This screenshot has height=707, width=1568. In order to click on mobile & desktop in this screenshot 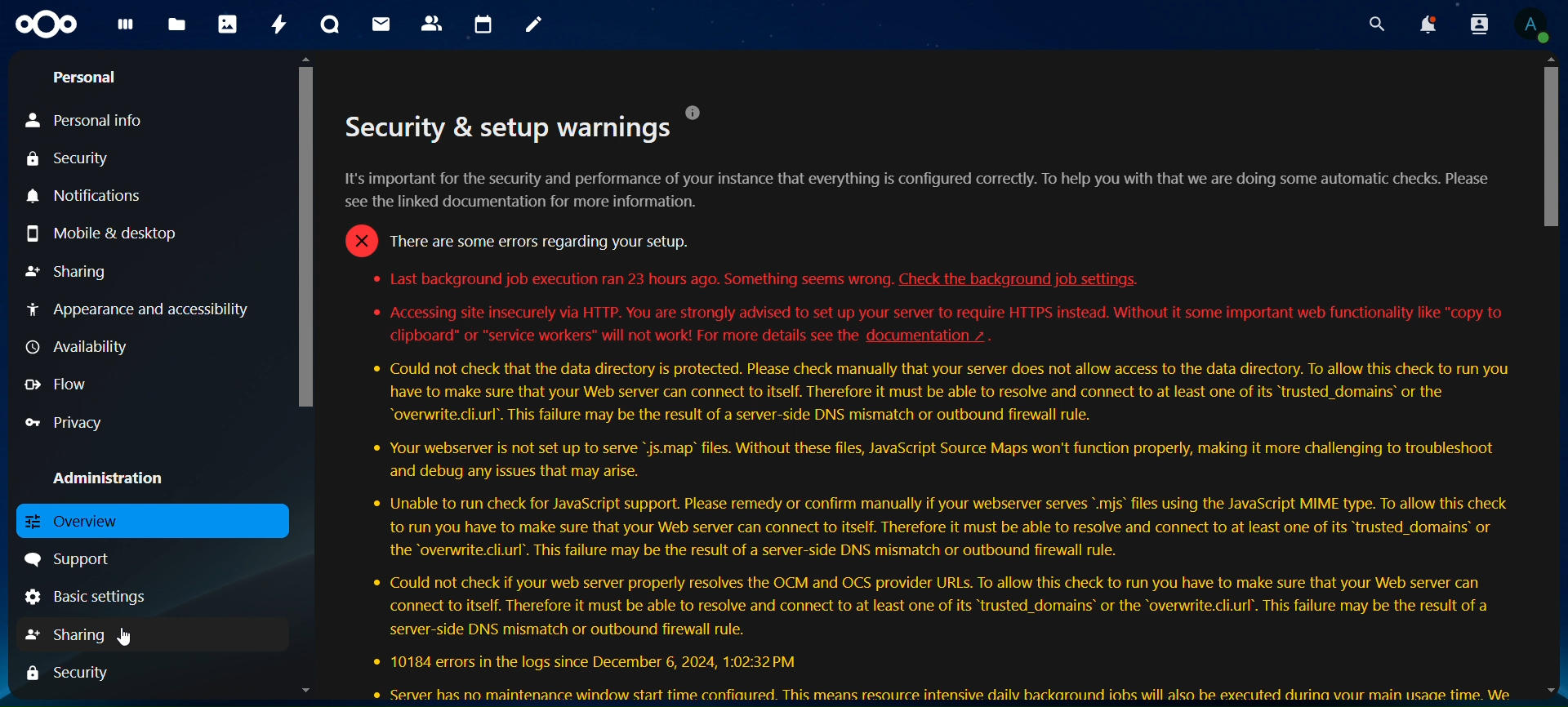, I will do `click(103, 235)`.